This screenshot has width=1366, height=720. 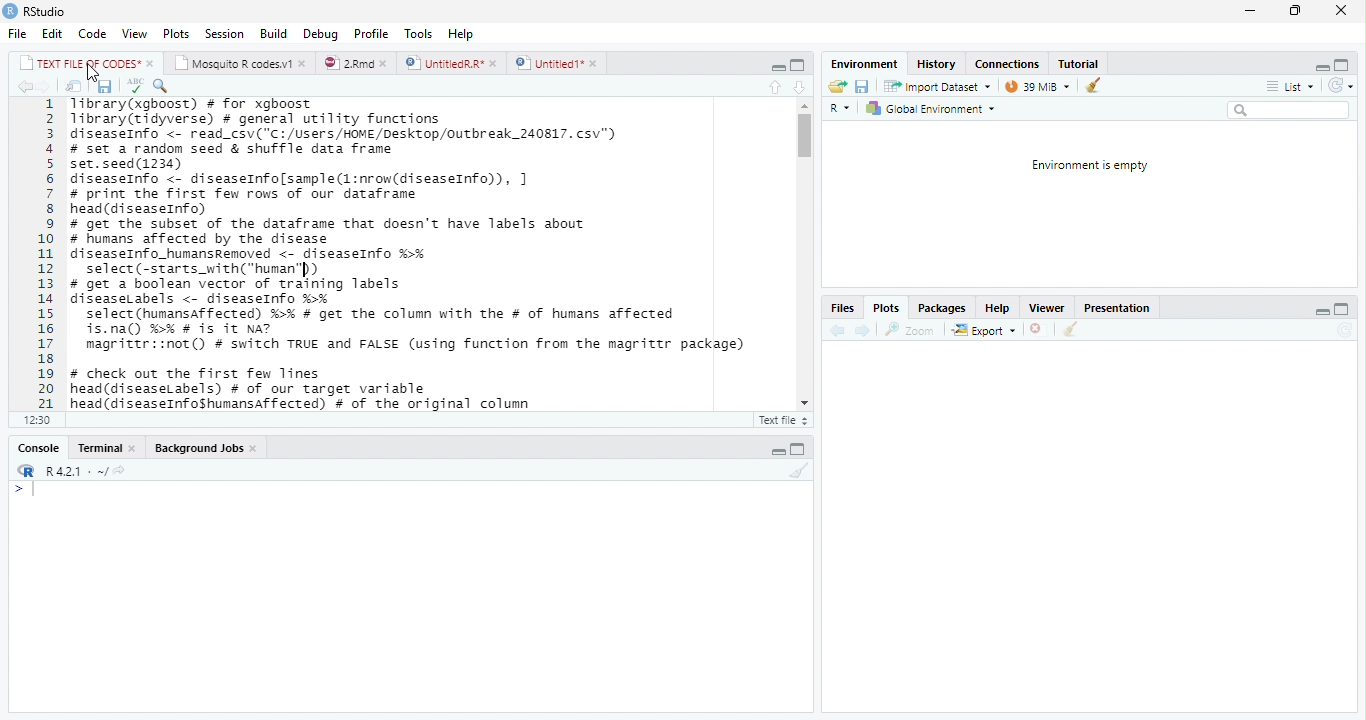 I want to click on 39MiB, so click(x=1037, y=84).